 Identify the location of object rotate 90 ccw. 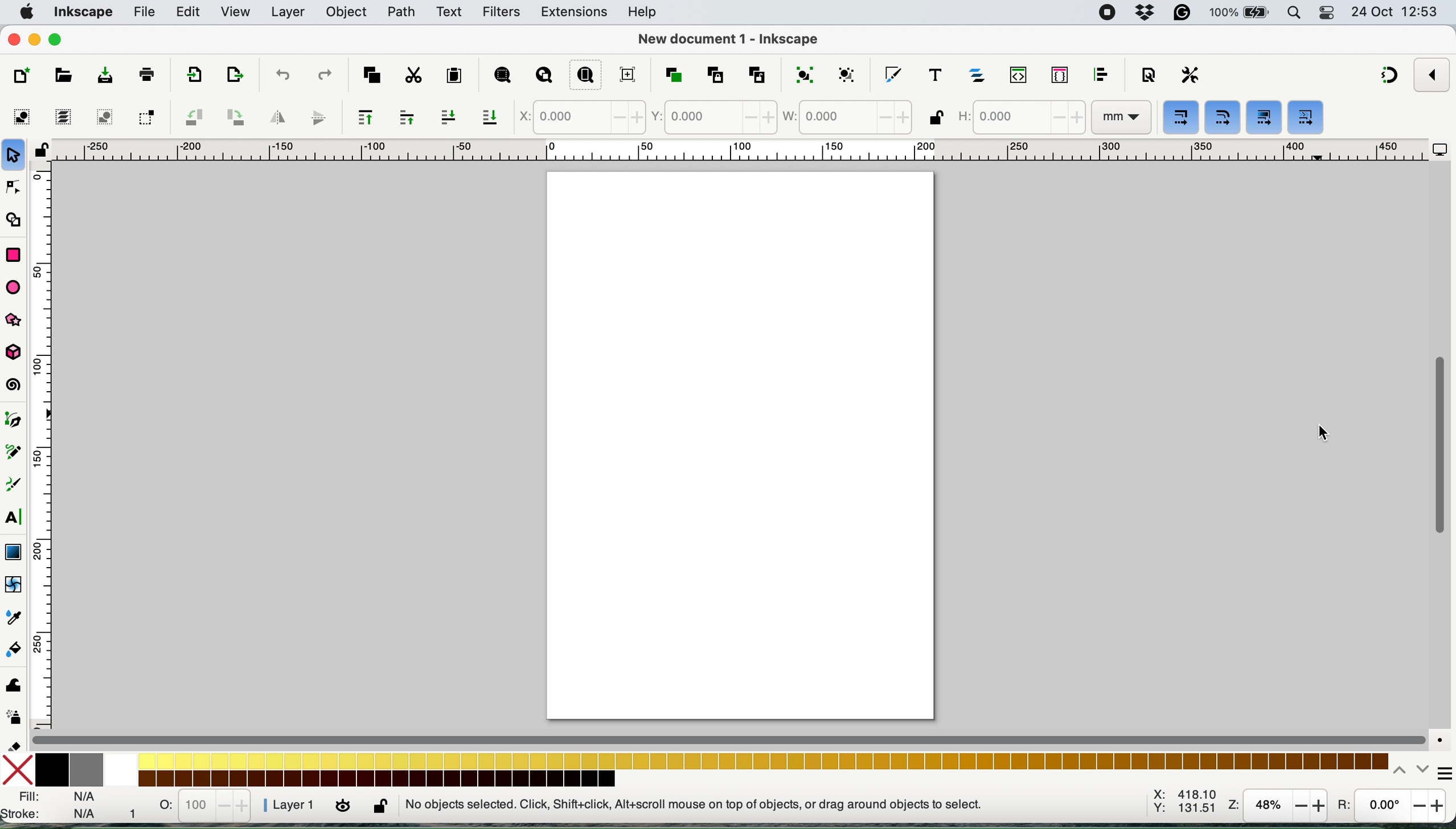
(191, 116).